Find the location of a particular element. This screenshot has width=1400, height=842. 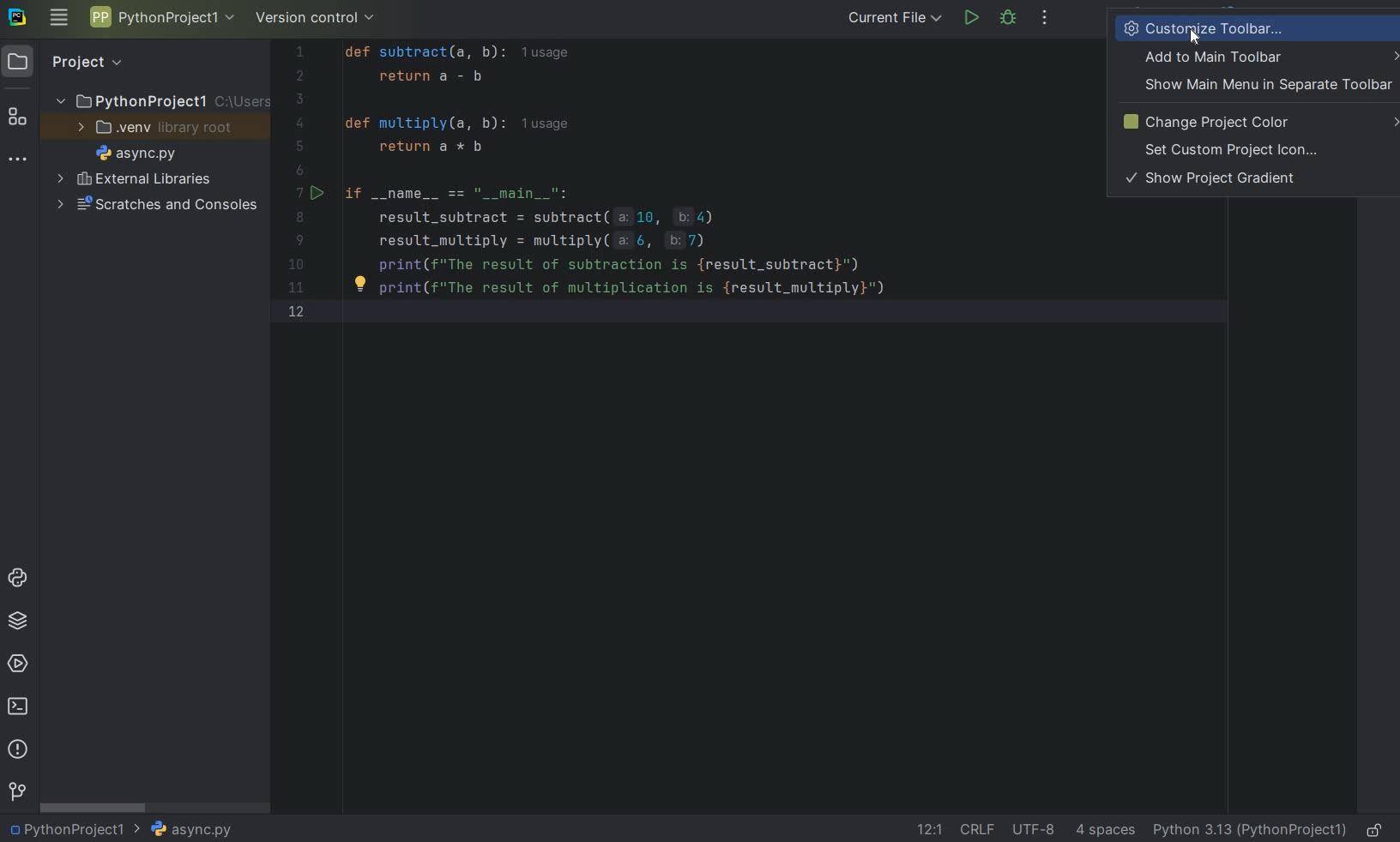

FILE NAME is located at coordinates (132, 154).